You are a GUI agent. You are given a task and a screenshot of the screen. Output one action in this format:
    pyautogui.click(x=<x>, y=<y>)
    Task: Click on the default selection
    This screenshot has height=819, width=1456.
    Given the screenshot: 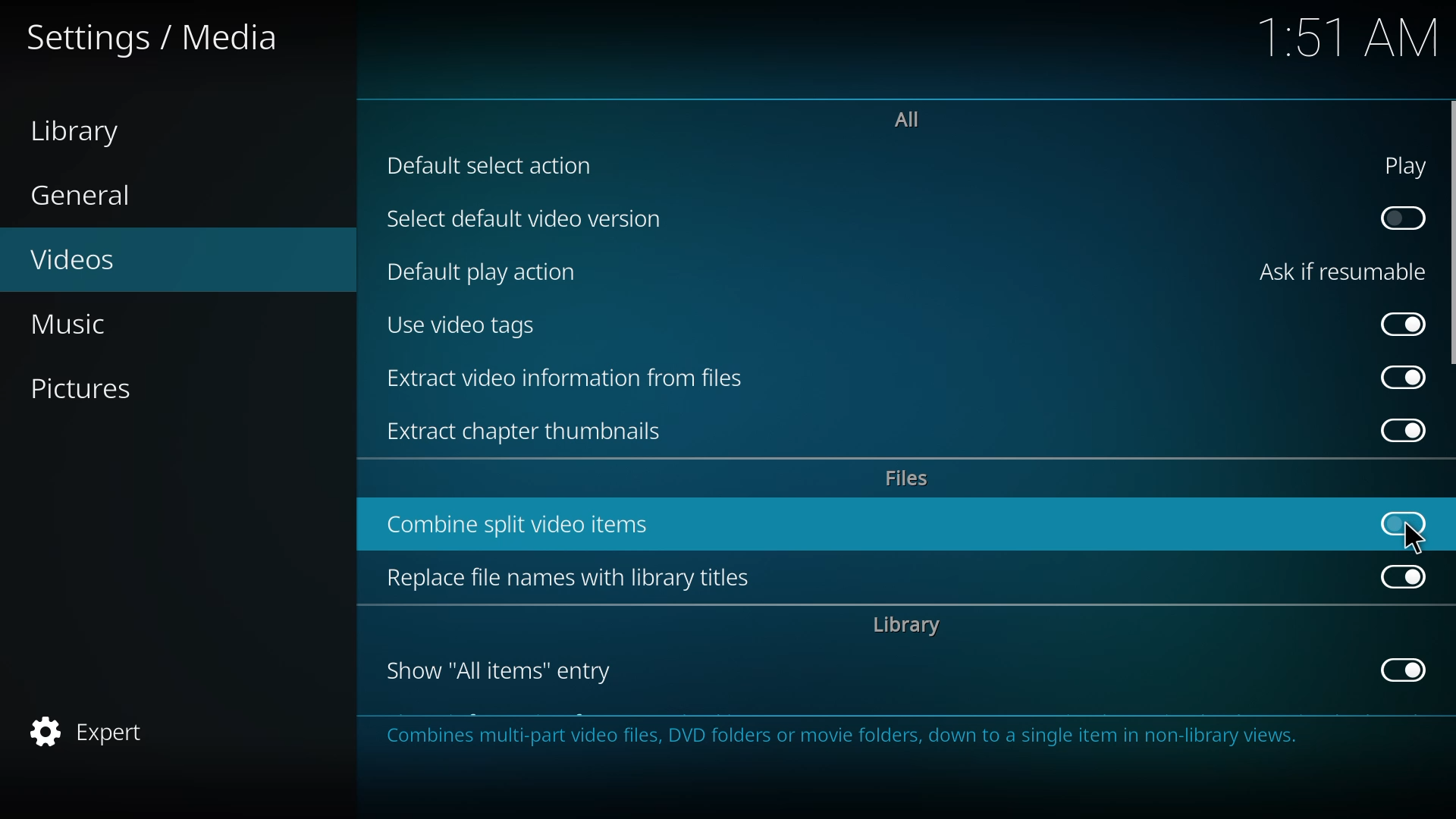 What is the action you would take?
    pyautogui.click(x=494, y=166)
    